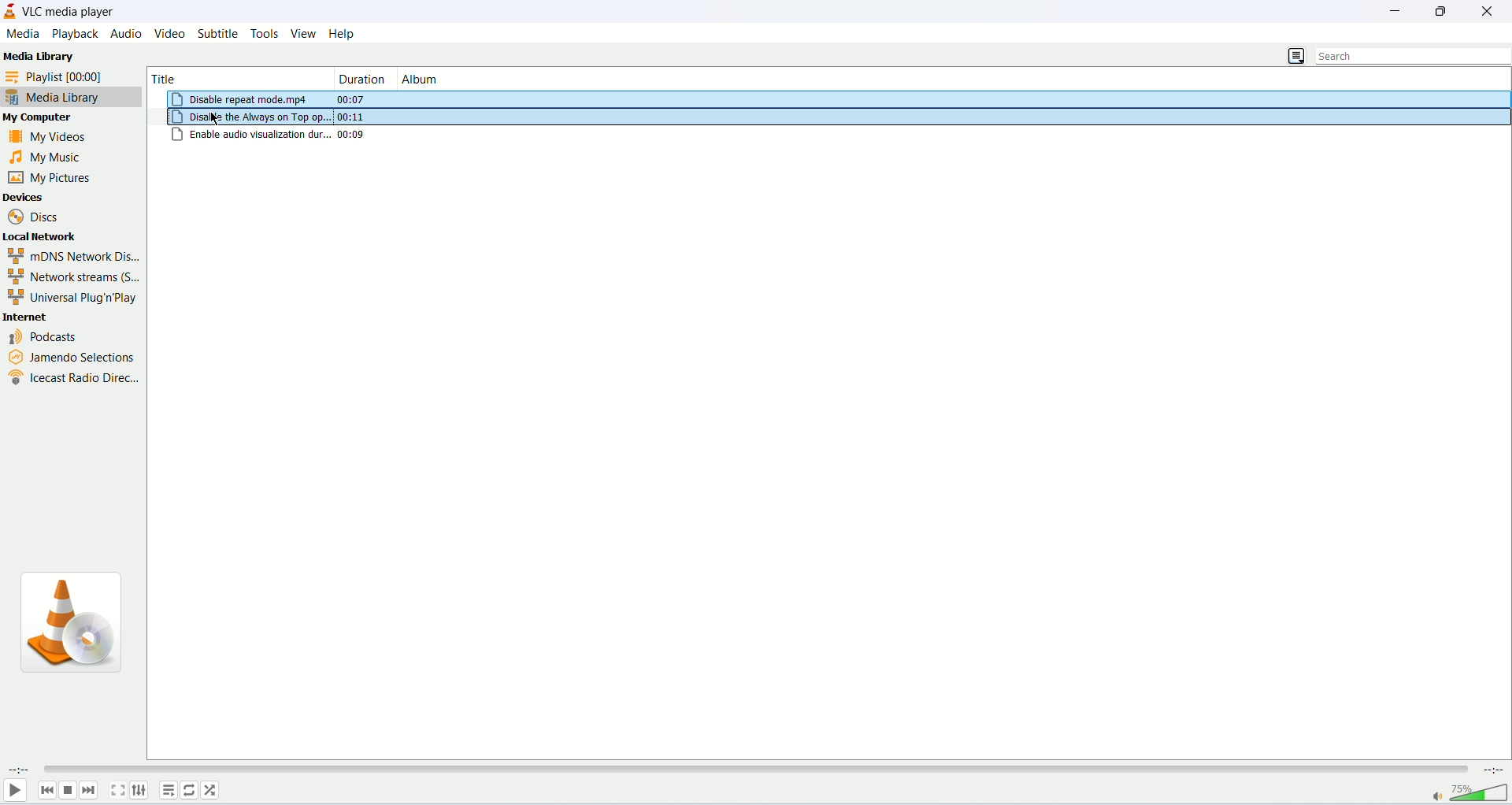 The image size is (1512, 805). Describe the element at coordinates (222, 76) in the screenshot. I see `title` at that location.